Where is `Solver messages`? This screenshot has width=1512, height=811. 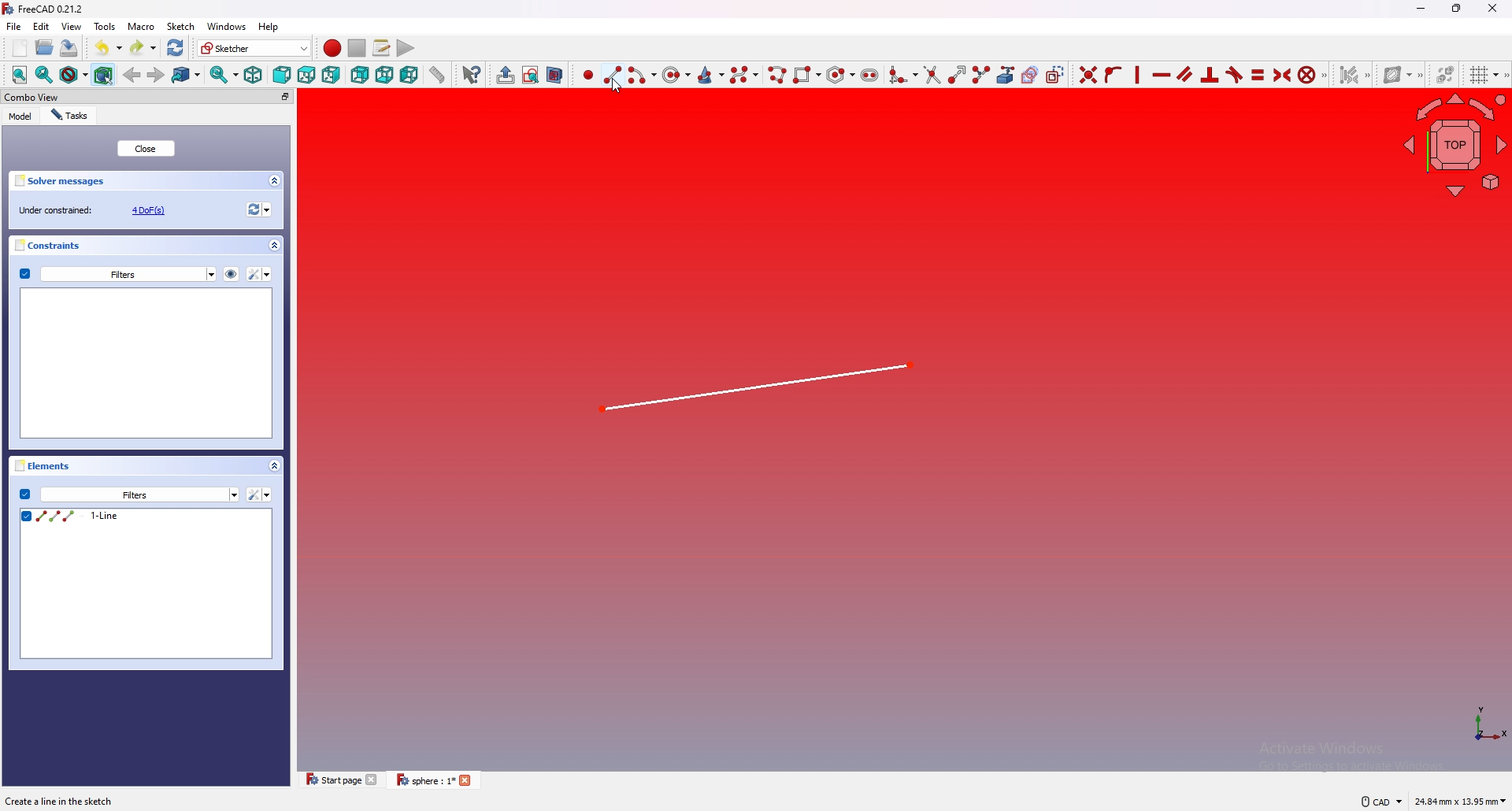 Solver messages is located at coordinates (148, 180).